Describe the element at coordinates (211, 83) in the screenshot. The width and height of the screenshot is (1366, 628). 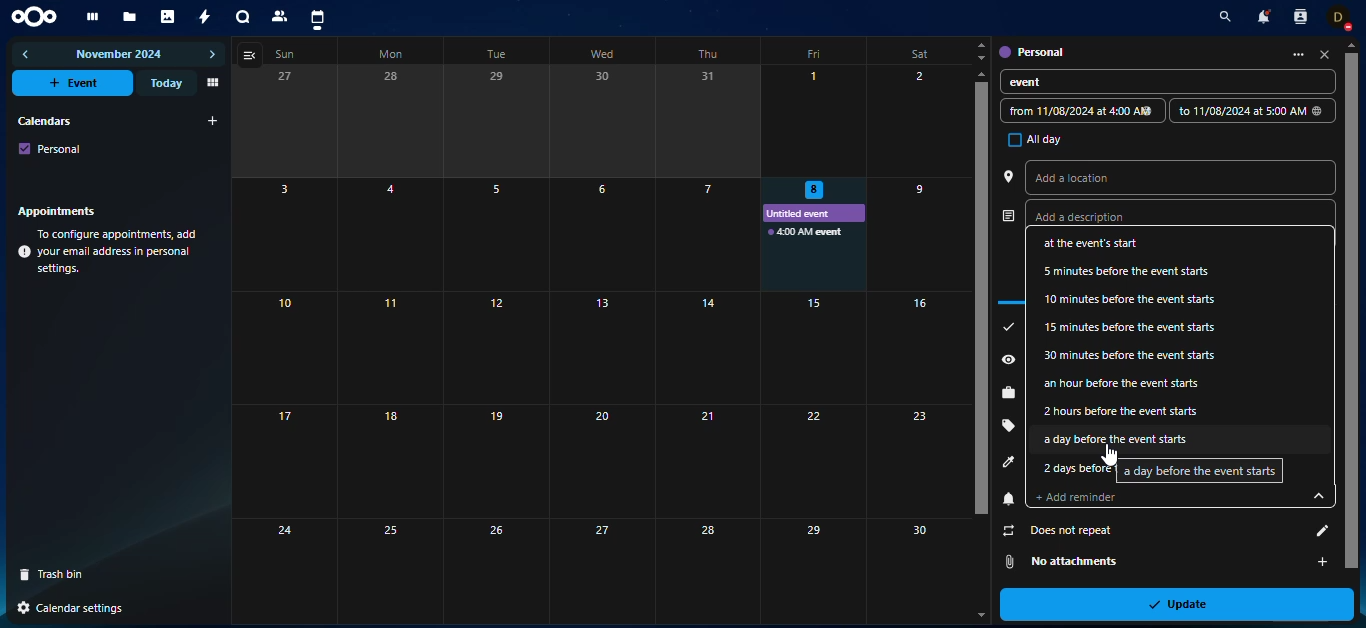
I see `view` at that location.